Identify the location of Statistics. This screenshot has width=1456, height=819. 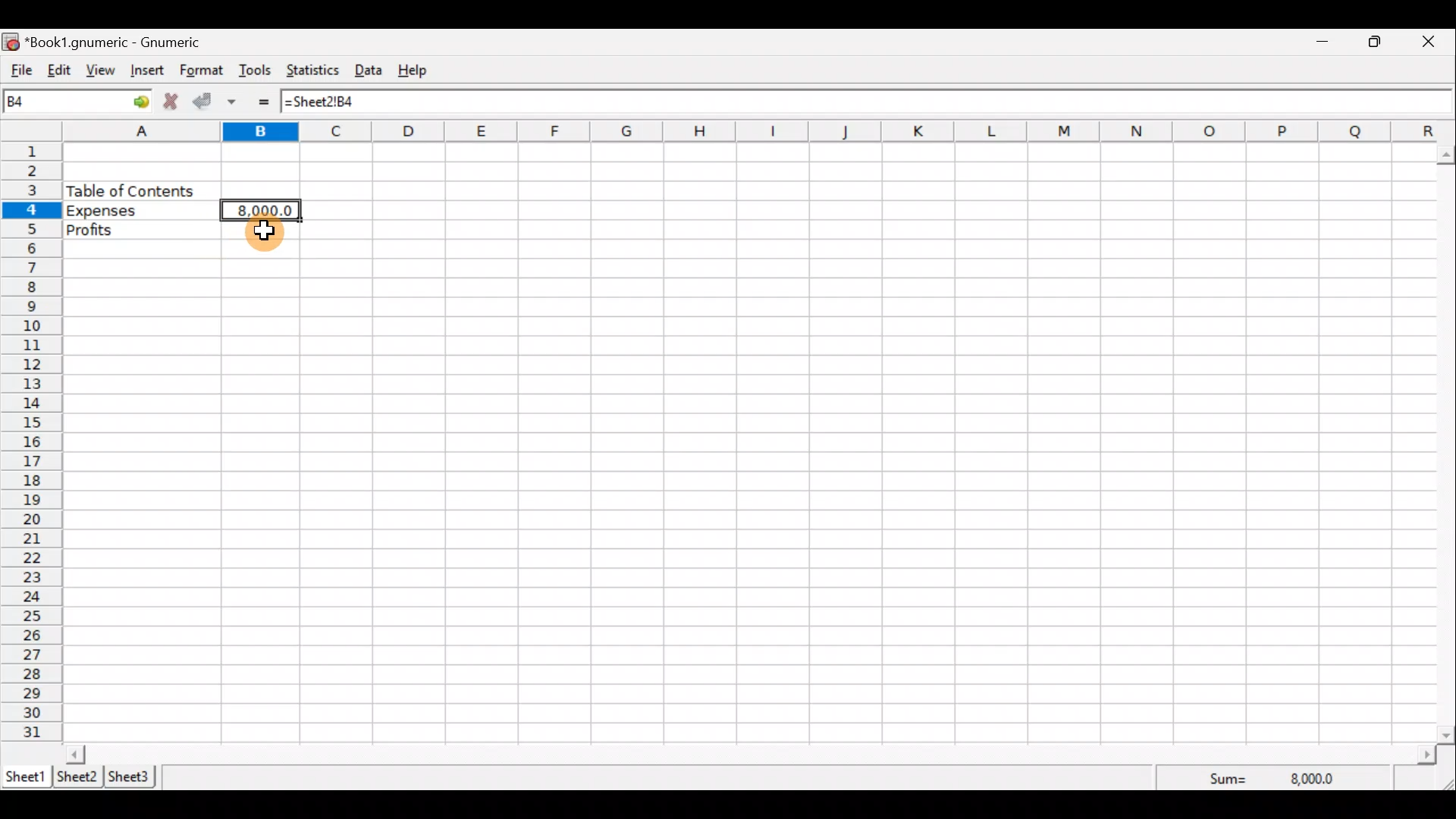
(315, 72).